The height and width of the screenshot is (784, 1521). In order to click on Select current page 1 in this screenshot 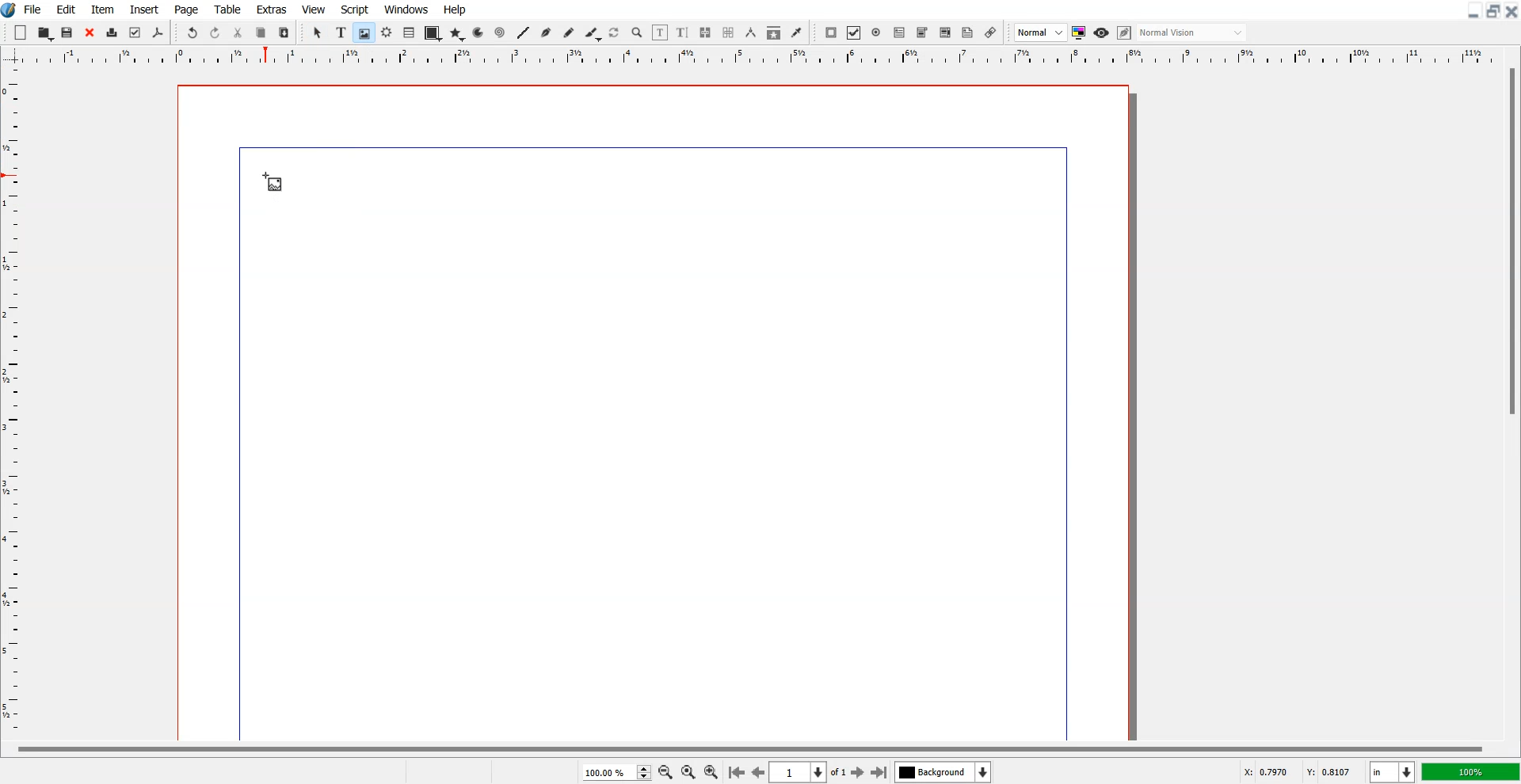, I will do `click(810, 772)`.